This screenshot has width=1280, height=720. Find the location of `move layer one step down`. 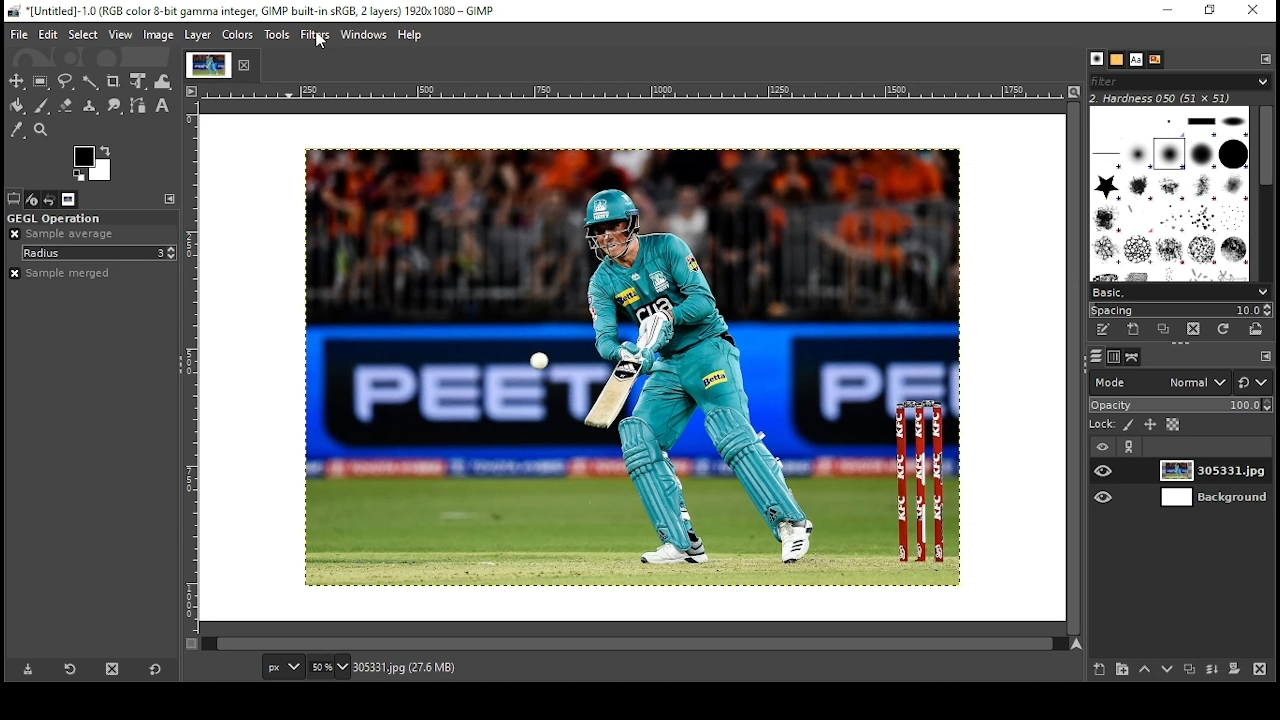

move layer one step down is located at coordinates (1168, 670).